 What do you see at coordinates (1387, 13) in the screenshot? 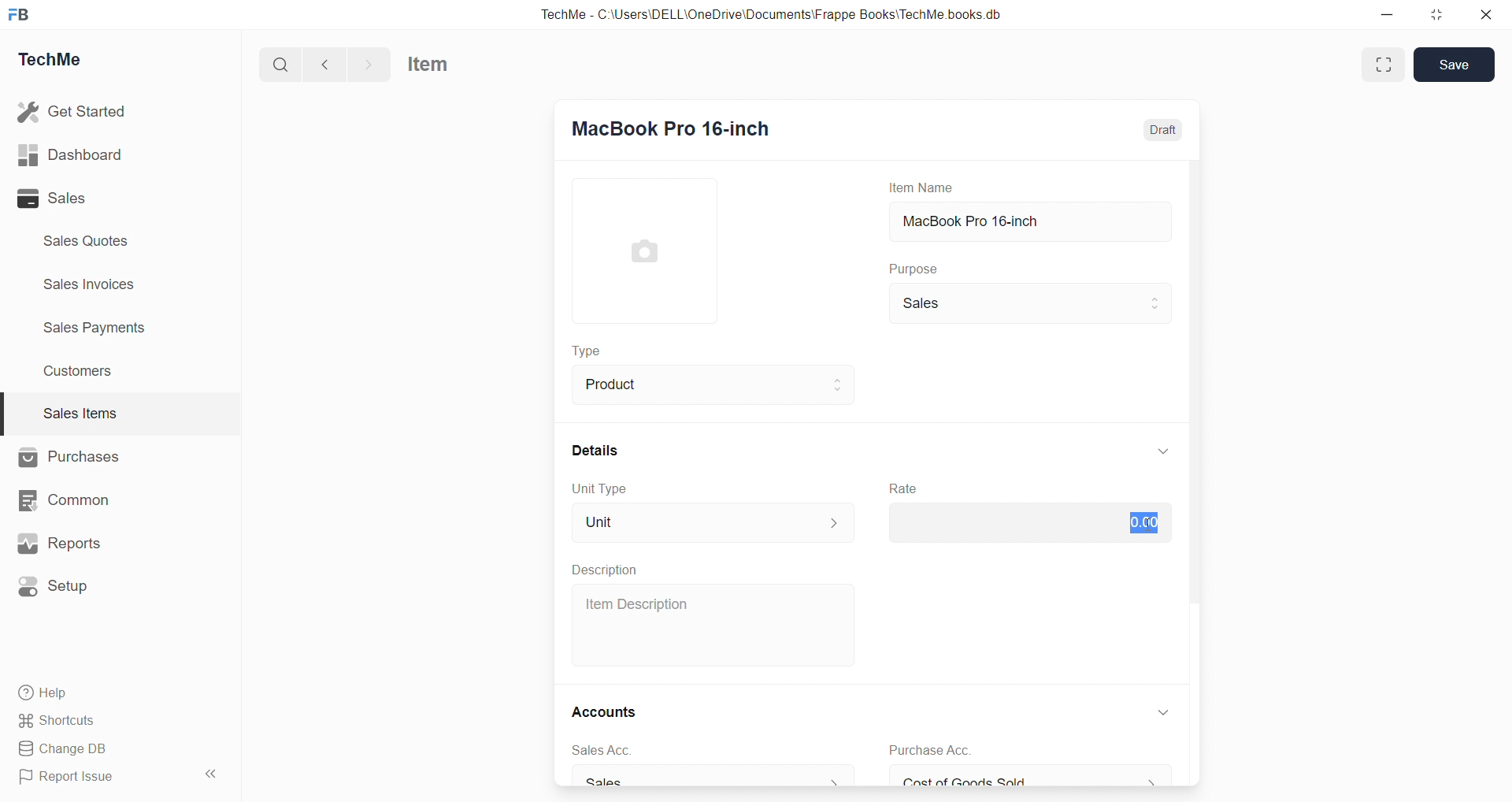
I see `minimize` at bounding box center [1387, 13].